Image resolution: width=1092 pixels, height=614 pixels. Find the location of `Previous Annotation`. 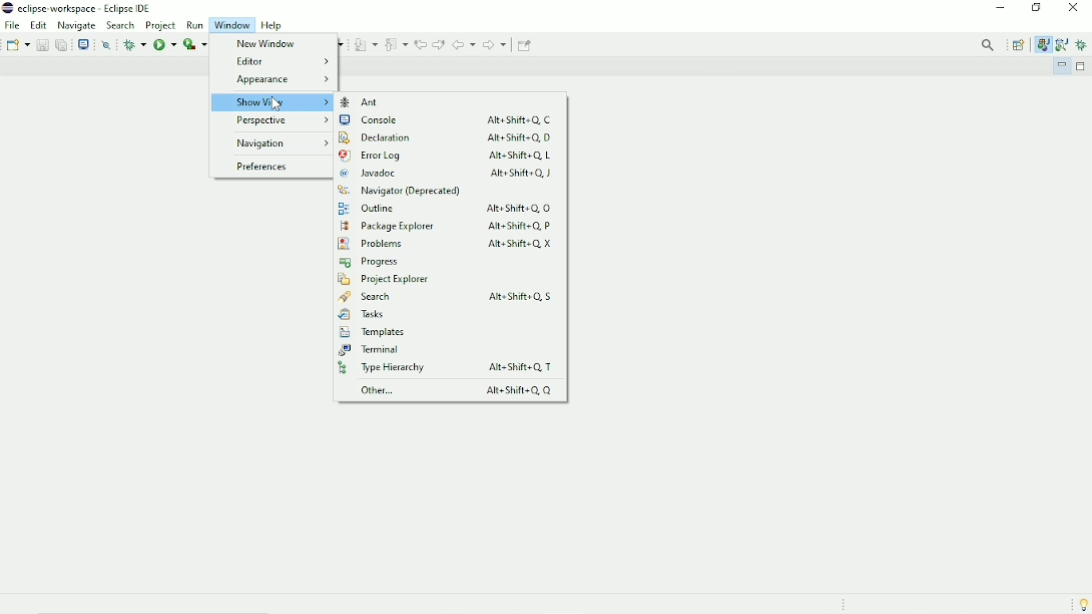

Previous Annotation is located at coordinates (396, 44).